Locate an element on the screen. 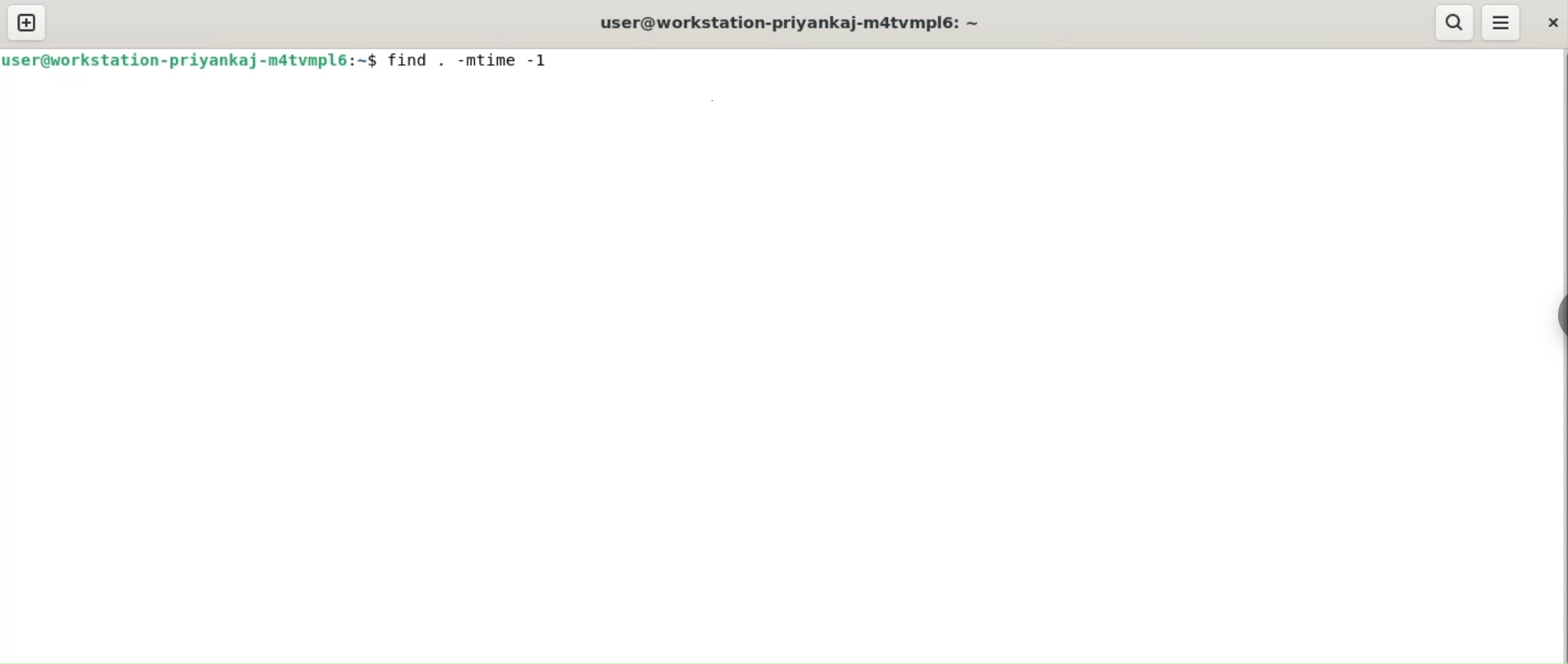  search is located at coordinates (1454, 21).